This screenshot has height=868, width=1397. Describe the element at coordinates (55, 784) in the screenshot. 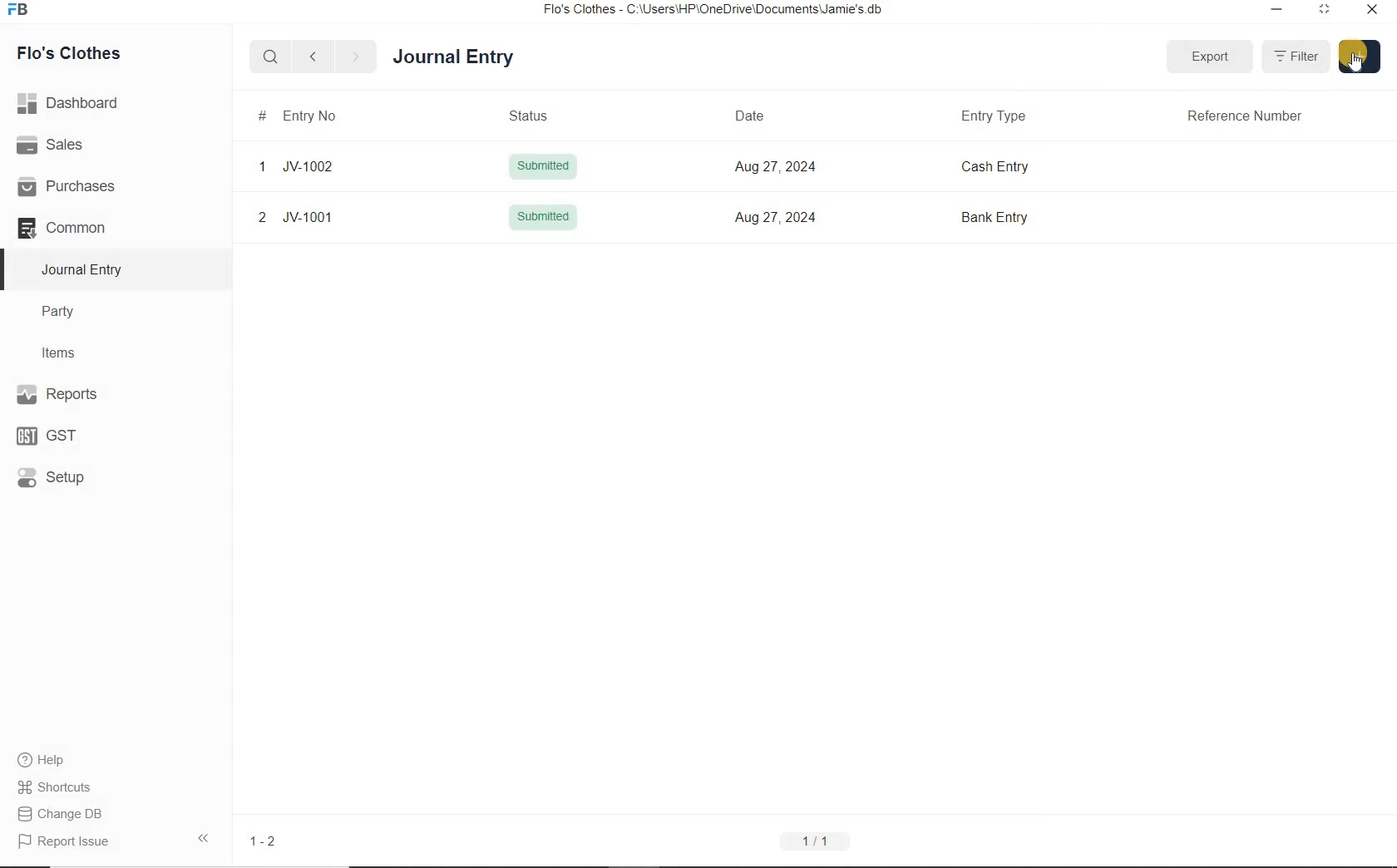

I see `Shortcuts` at that location.